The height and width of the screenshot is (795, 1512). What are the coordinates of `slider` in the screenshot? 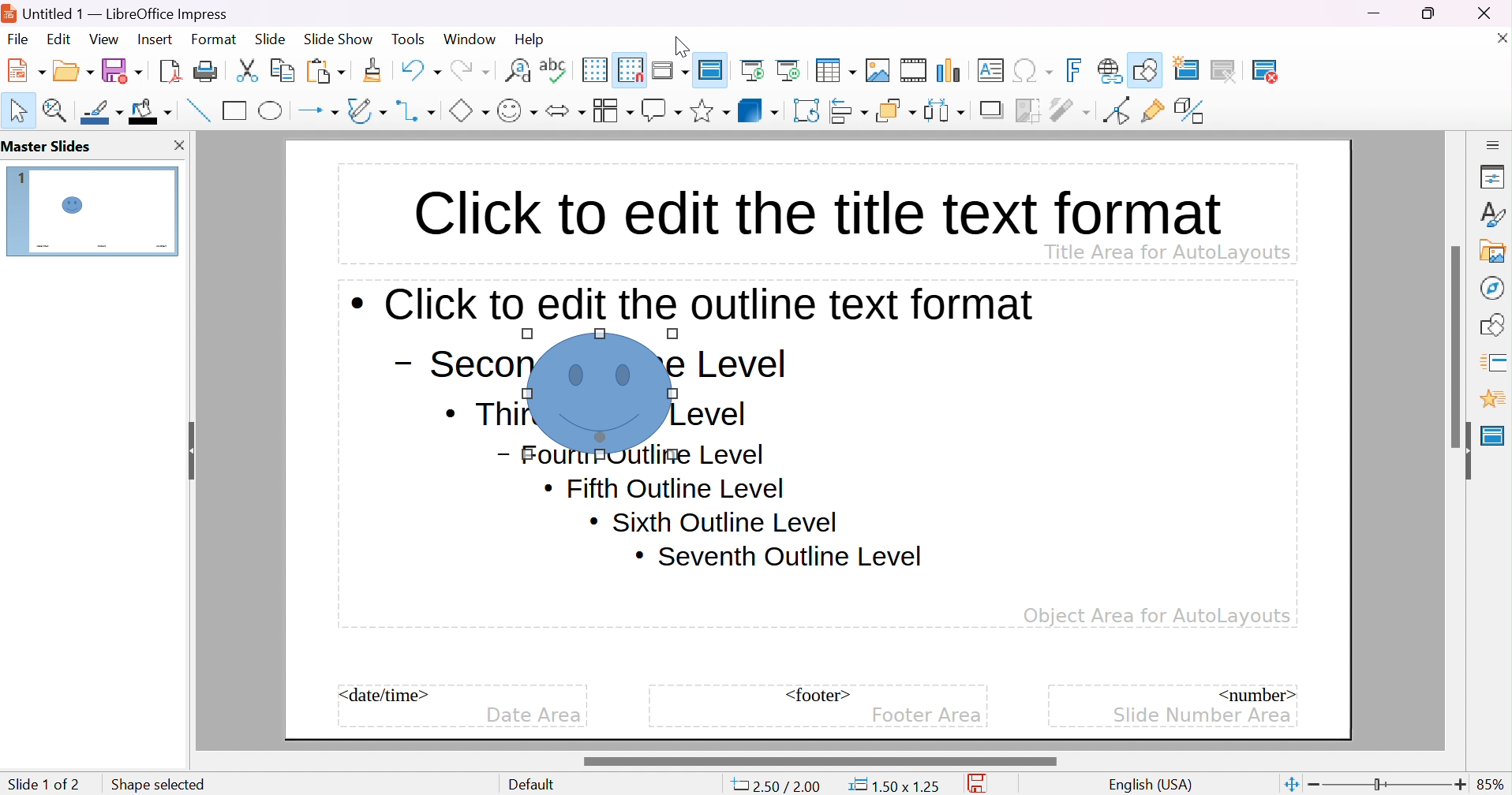 It's located at (1458, 345).